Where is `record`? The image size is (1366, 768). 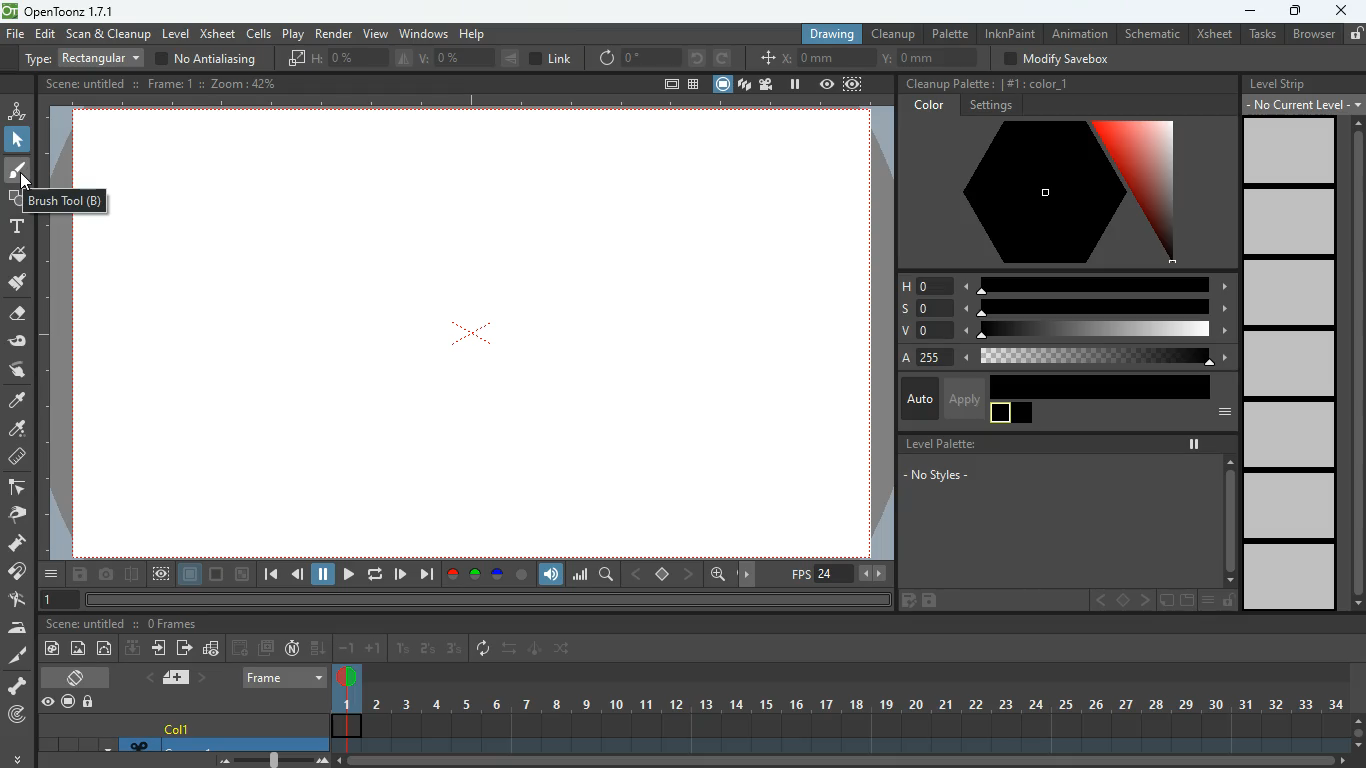 record is located at coordinates (67, 703).